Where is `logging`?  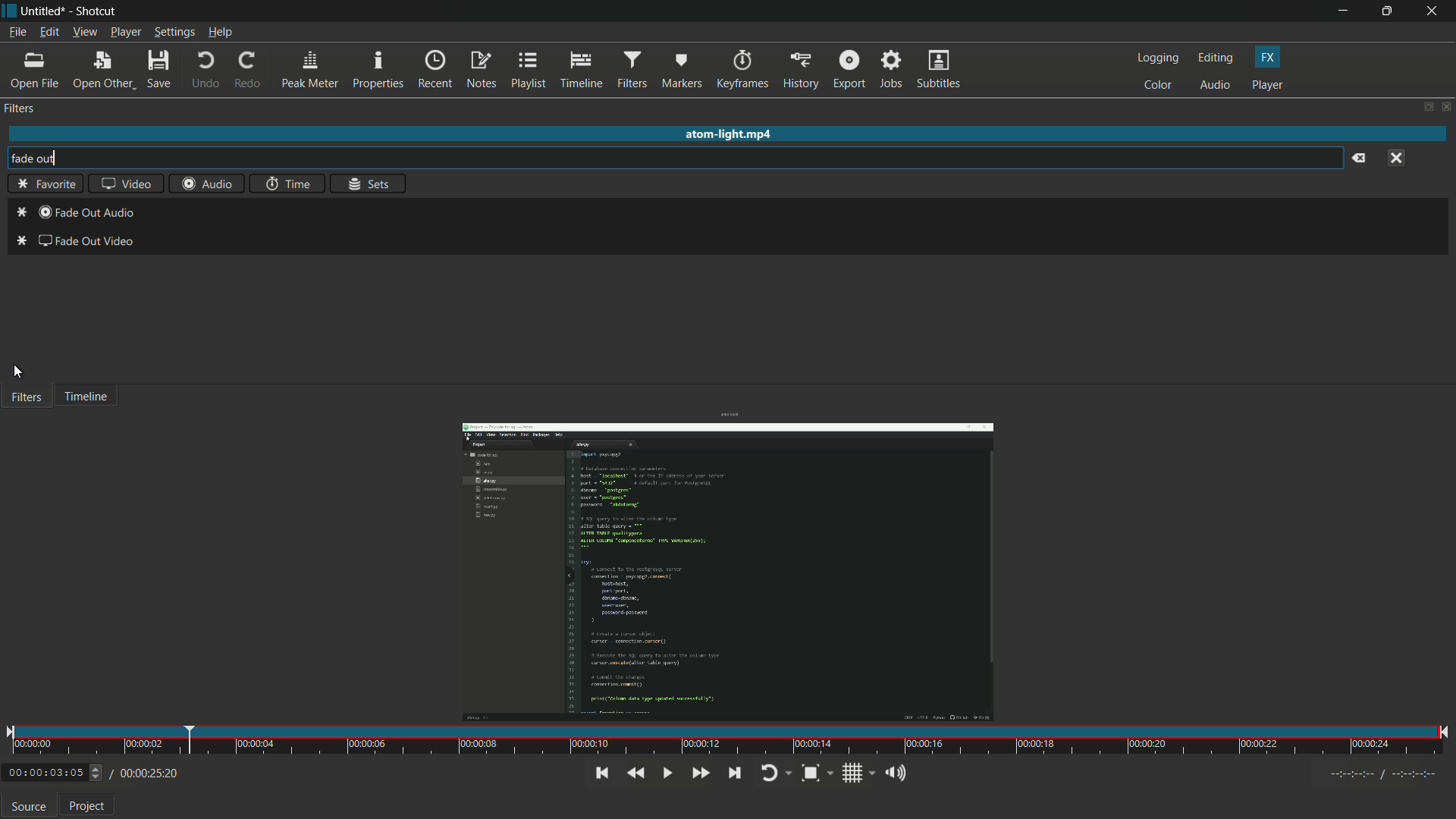 logging is located at coordinates (1157, 58).